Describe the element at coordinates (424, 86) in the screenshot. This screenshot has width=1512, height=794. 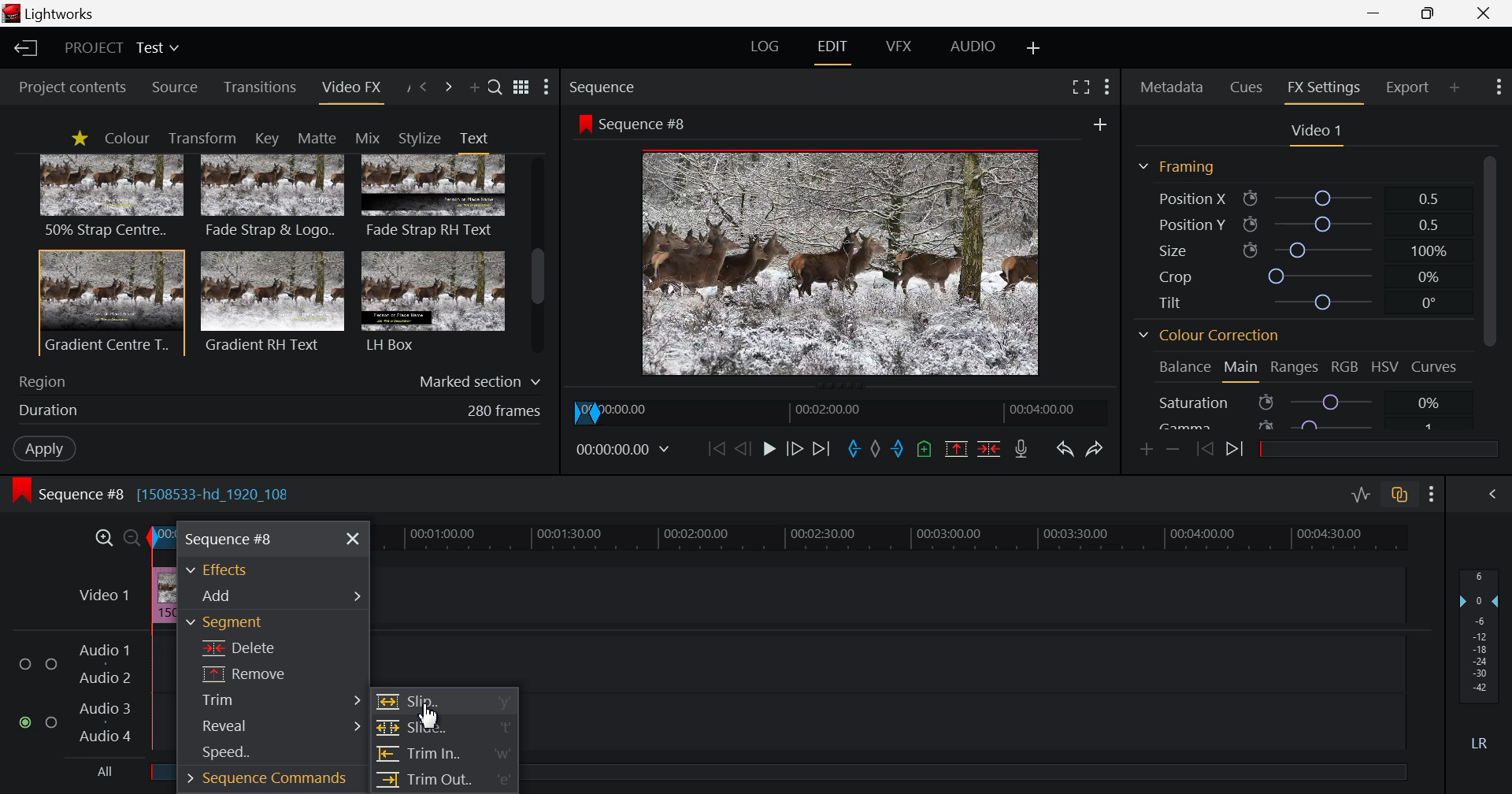
I see `Previous Panel` at that location.